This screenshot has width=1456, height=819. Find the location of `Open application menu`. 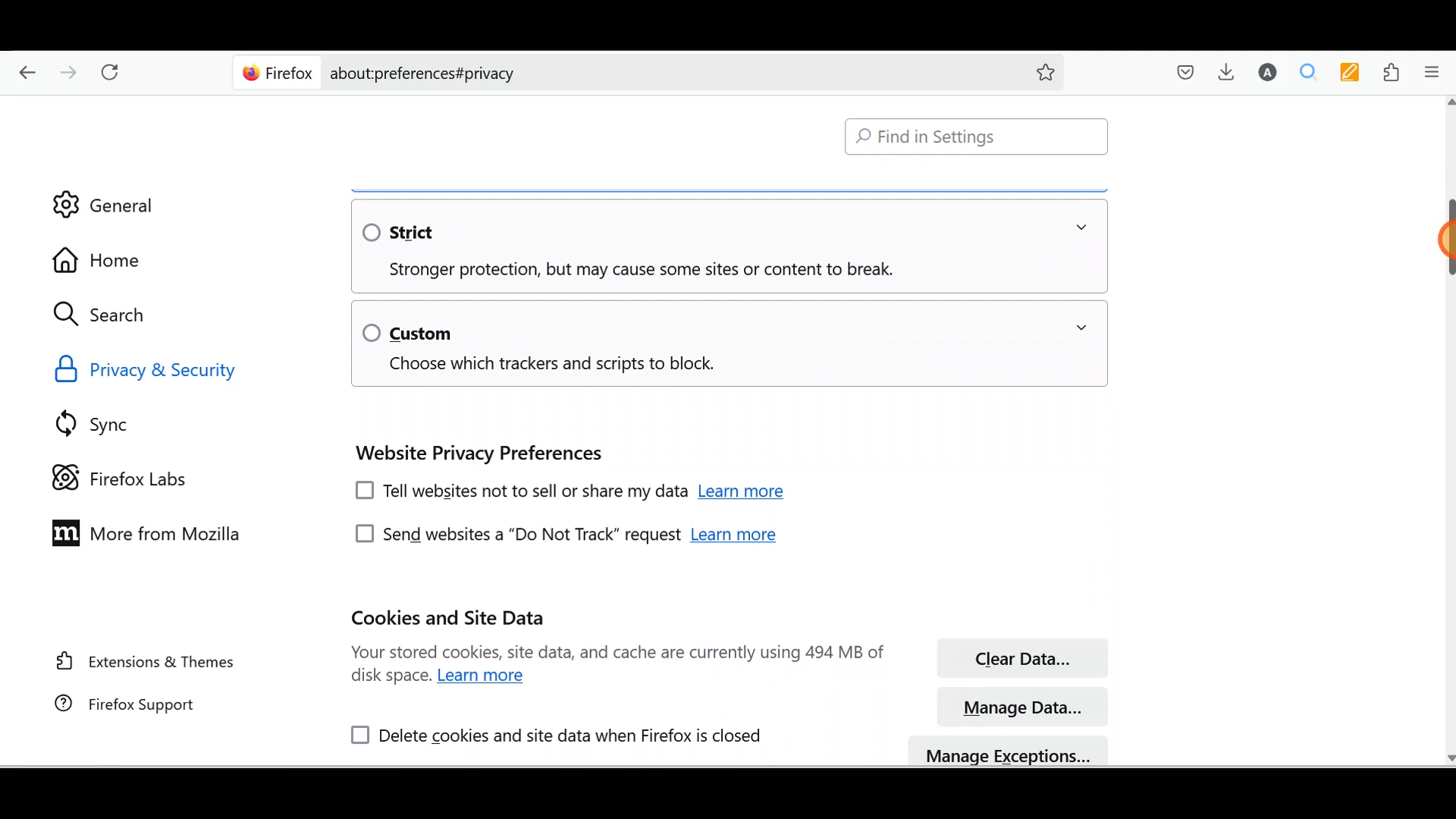

Open application menu is located at coordinates (1436, 73).